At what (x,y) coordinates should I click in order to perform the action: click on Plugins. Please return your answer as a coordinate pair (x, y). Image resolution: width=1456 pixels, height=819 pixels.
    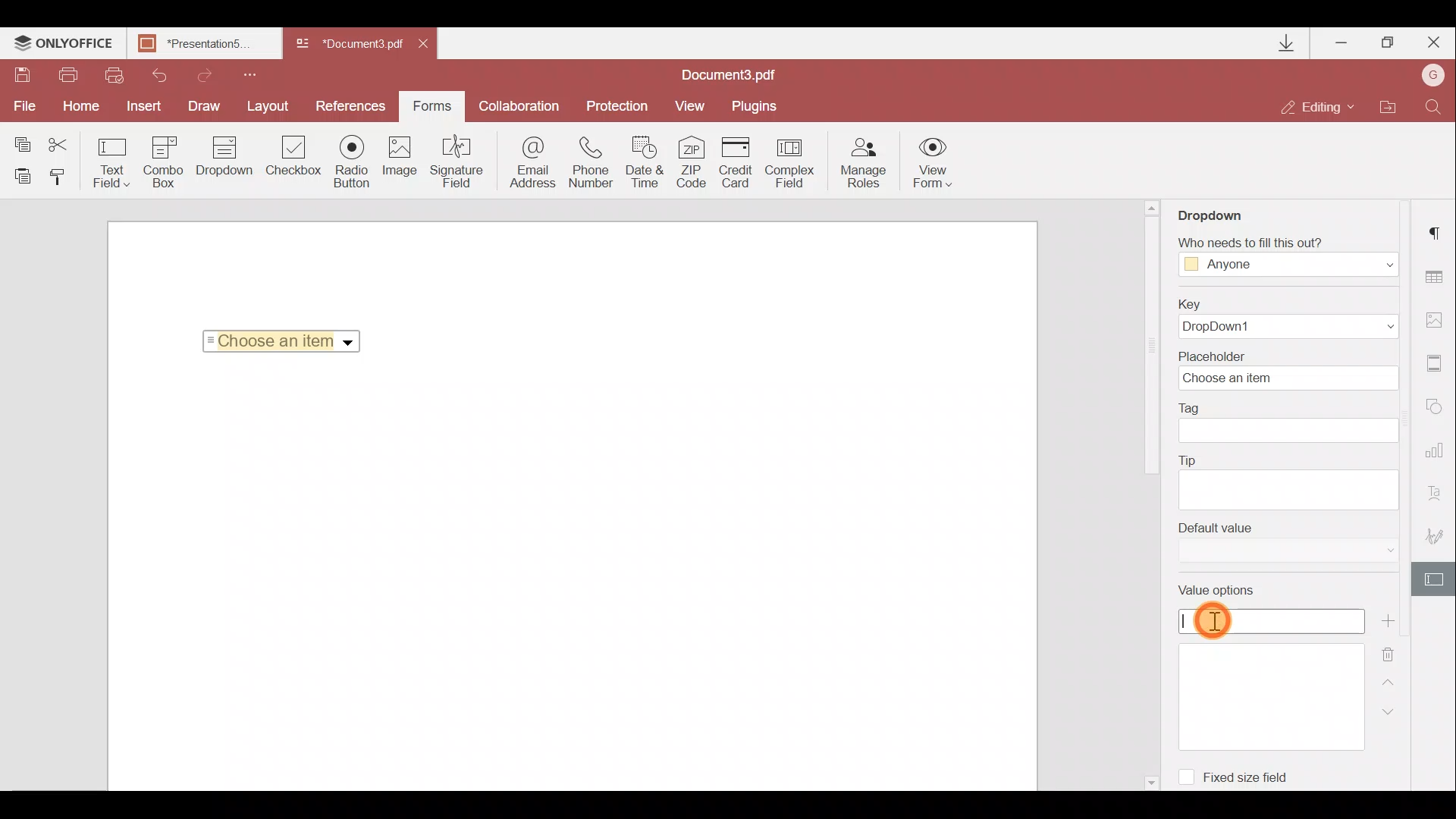
    Looking at the image, I should click on (757, 104).